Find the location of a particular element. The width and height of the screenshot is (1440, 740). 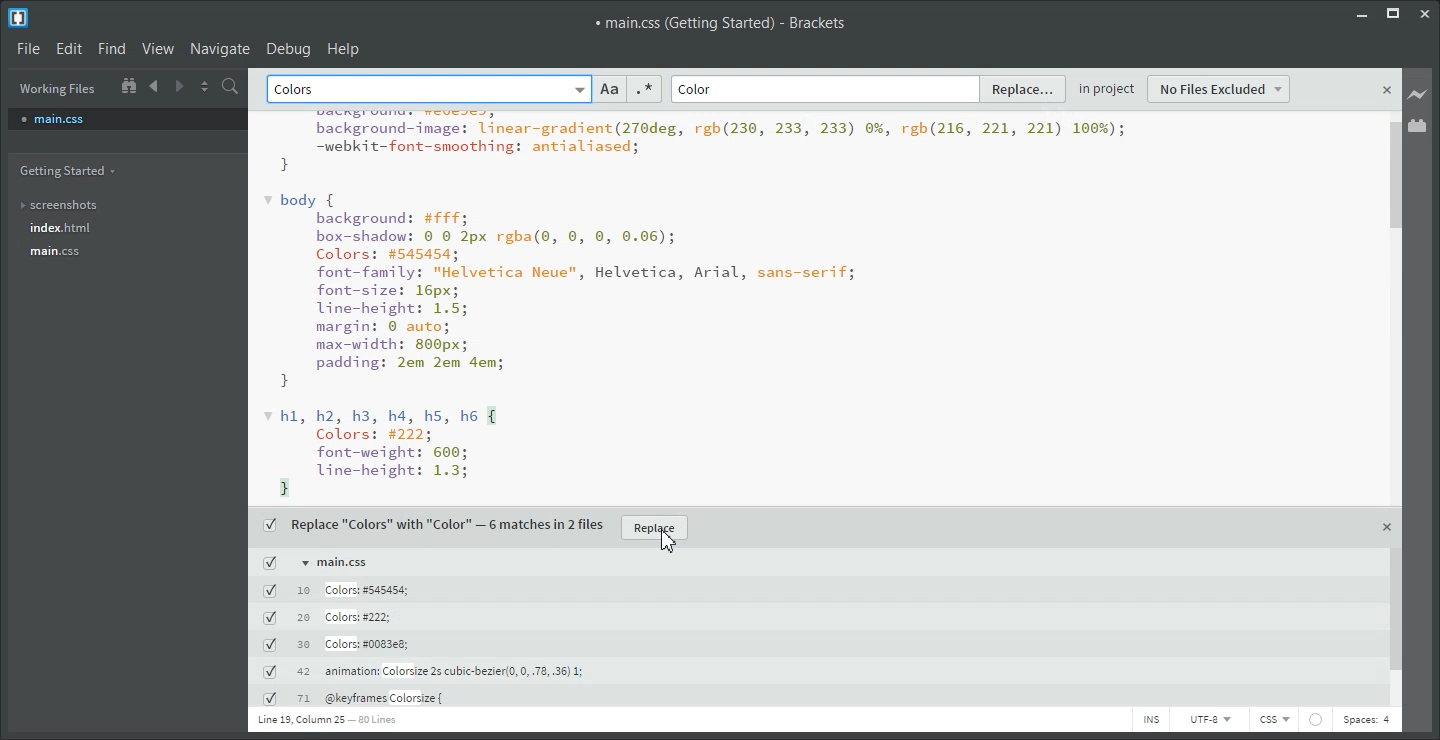

hl, h2, h3, h4, hs, h6 {
Colors: #222;
font-weight: 600;
line-height: 1.3;

3} is located at coordinates (395, 452).